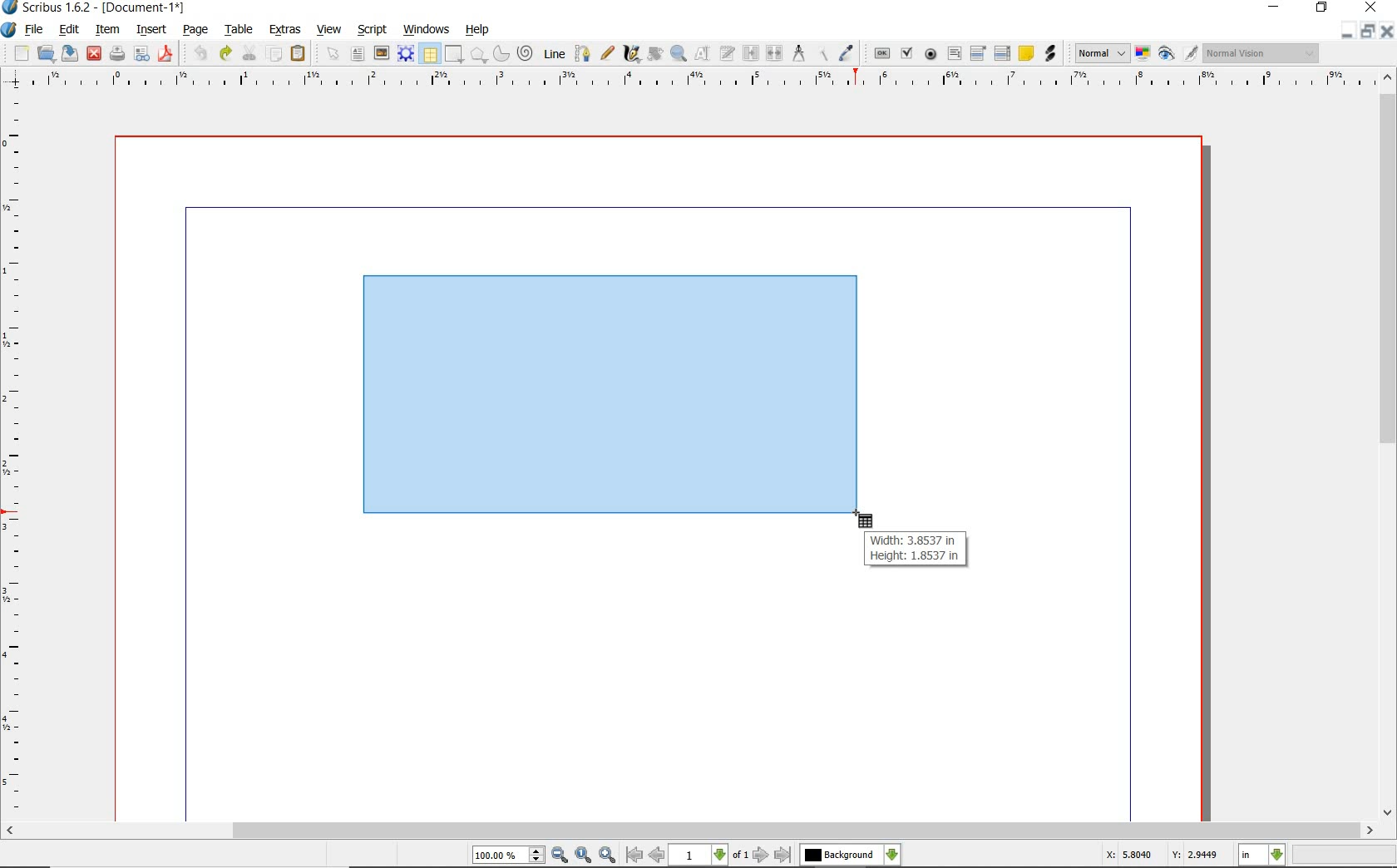  I want to click on ruler, so click(706, 80).